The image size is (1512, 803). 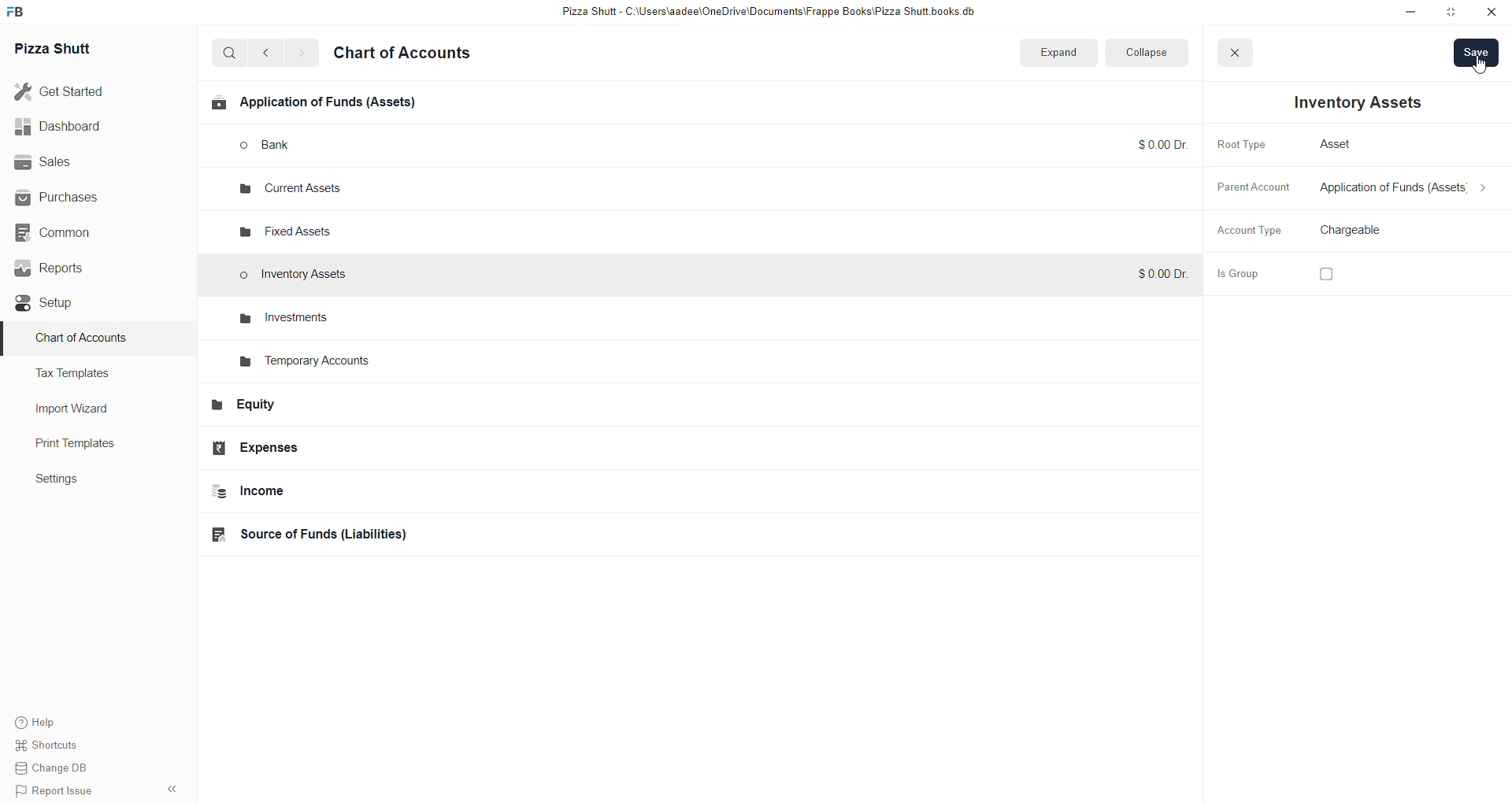 I want to click on Print Templates , so click(x=91, y=445).